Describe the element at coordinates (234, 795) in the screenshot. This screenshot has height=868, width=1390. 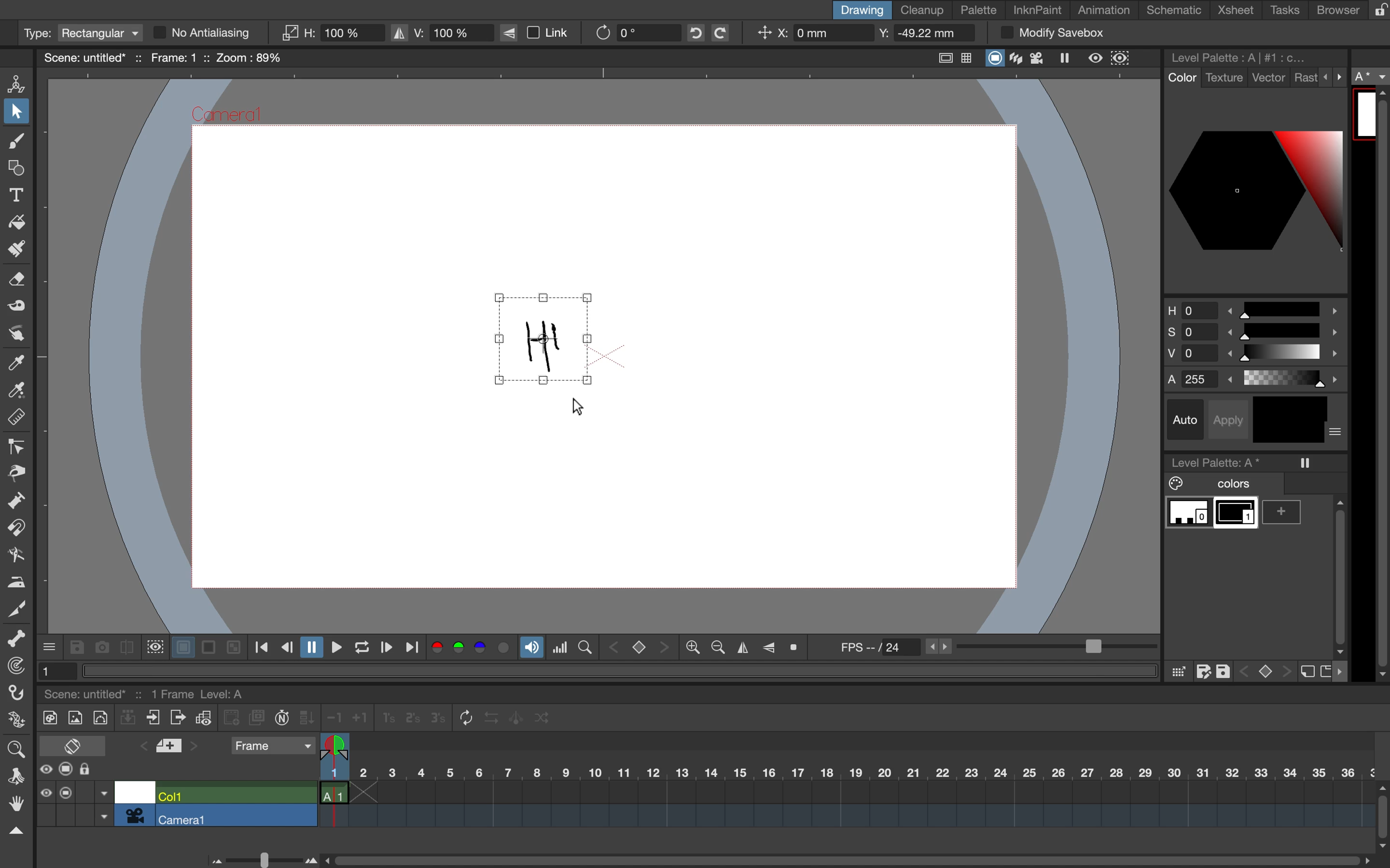
I see `col 1` at that location.